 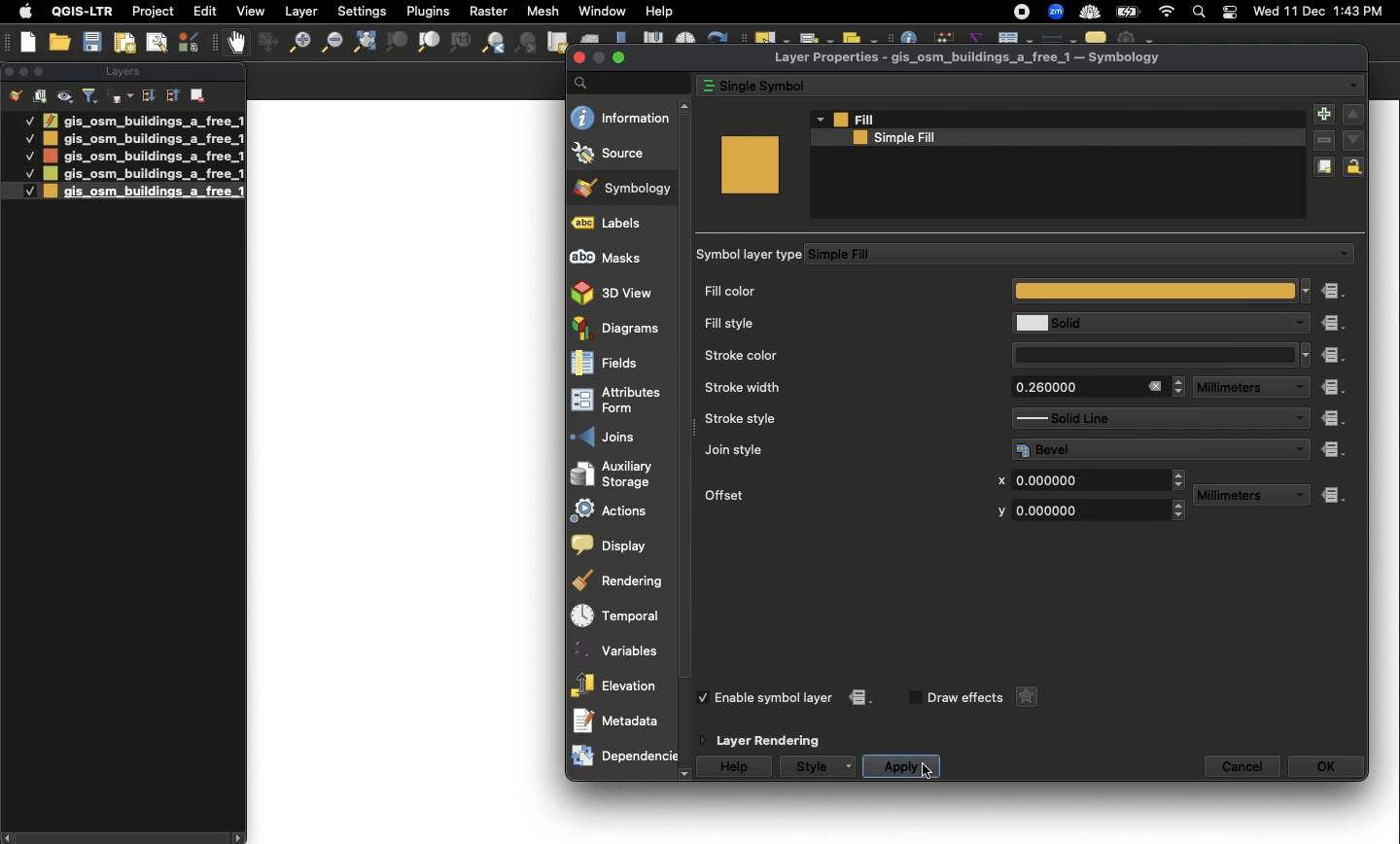 What do you see at coordinates (620, 365) in the screenshot?
I see `Fields` at bounding box center [620, 365].